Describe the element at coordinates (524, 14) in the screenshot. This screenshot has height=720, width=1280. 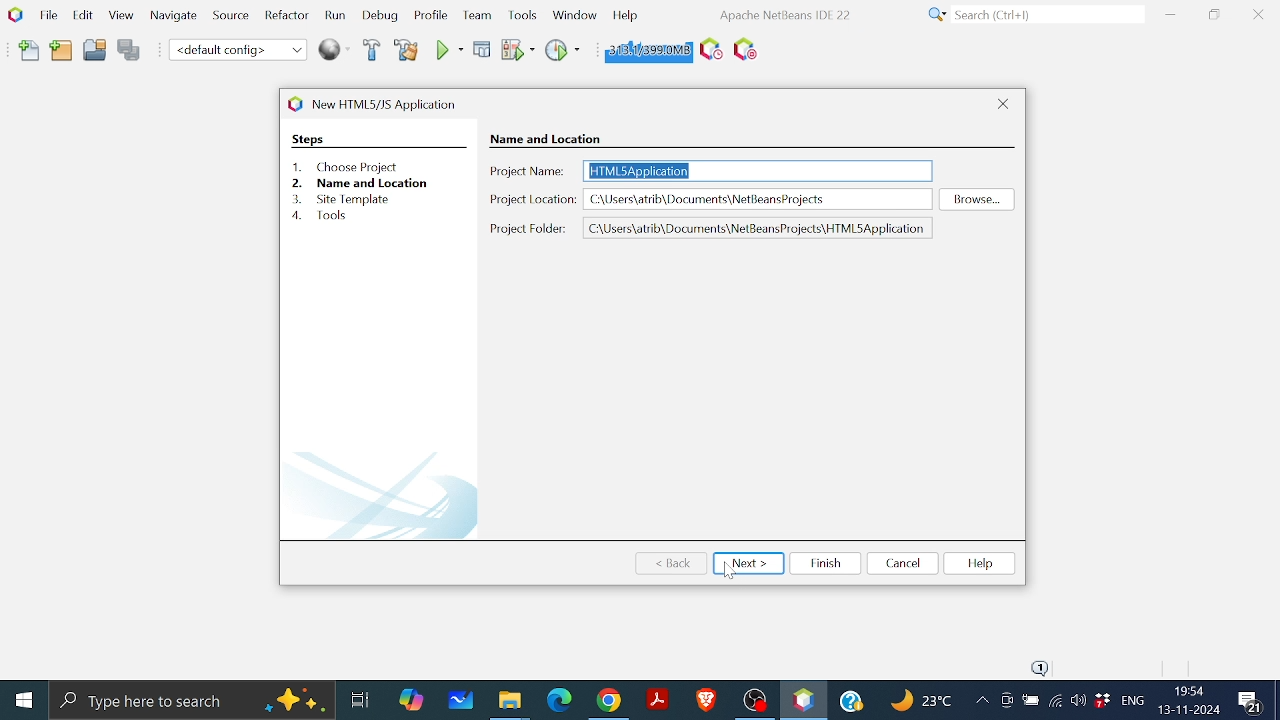
I see `Tools` at that location.